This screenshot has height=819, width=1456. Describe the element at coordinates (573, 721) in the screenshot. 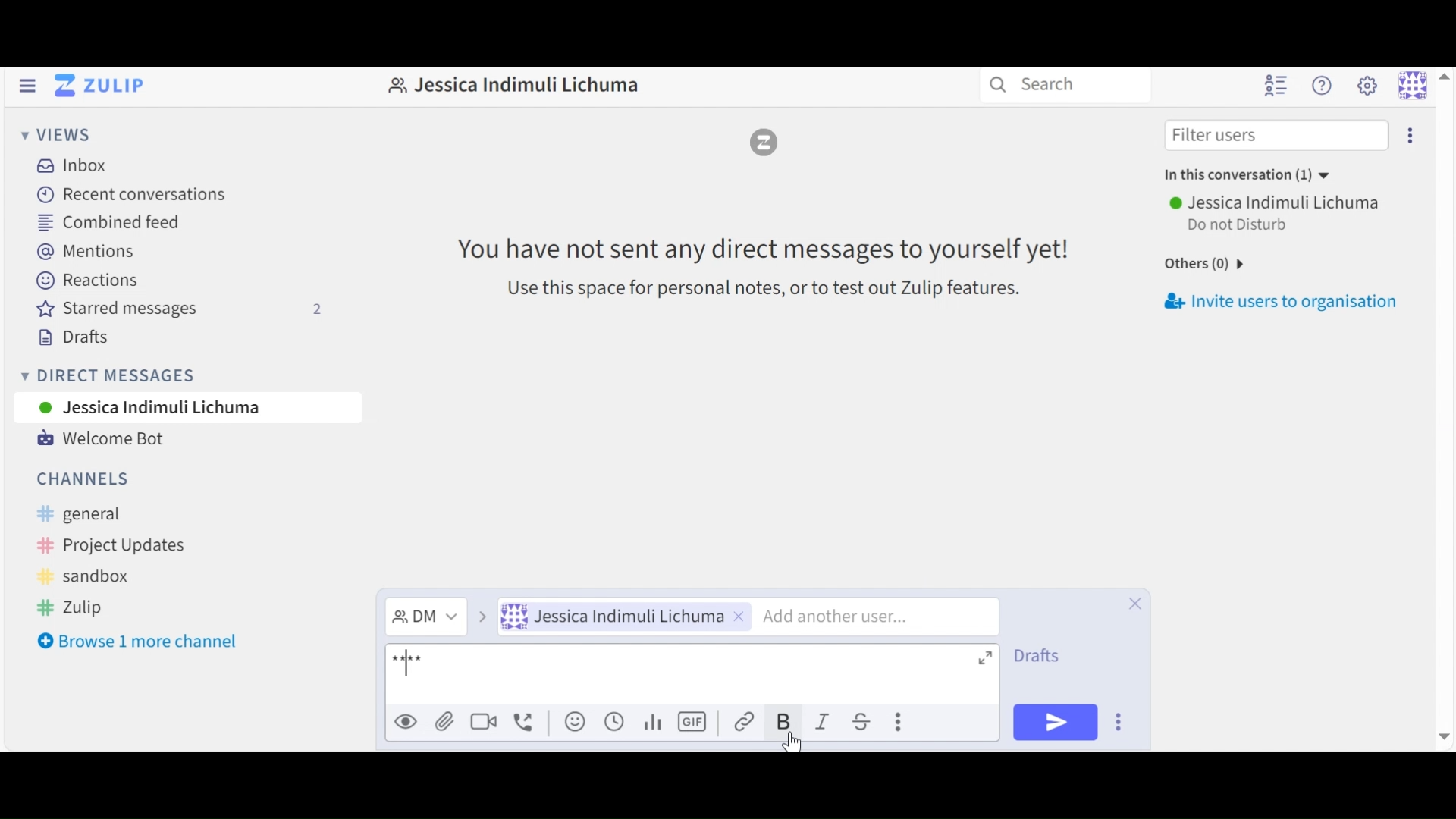

I see `Add emoji` at that location.